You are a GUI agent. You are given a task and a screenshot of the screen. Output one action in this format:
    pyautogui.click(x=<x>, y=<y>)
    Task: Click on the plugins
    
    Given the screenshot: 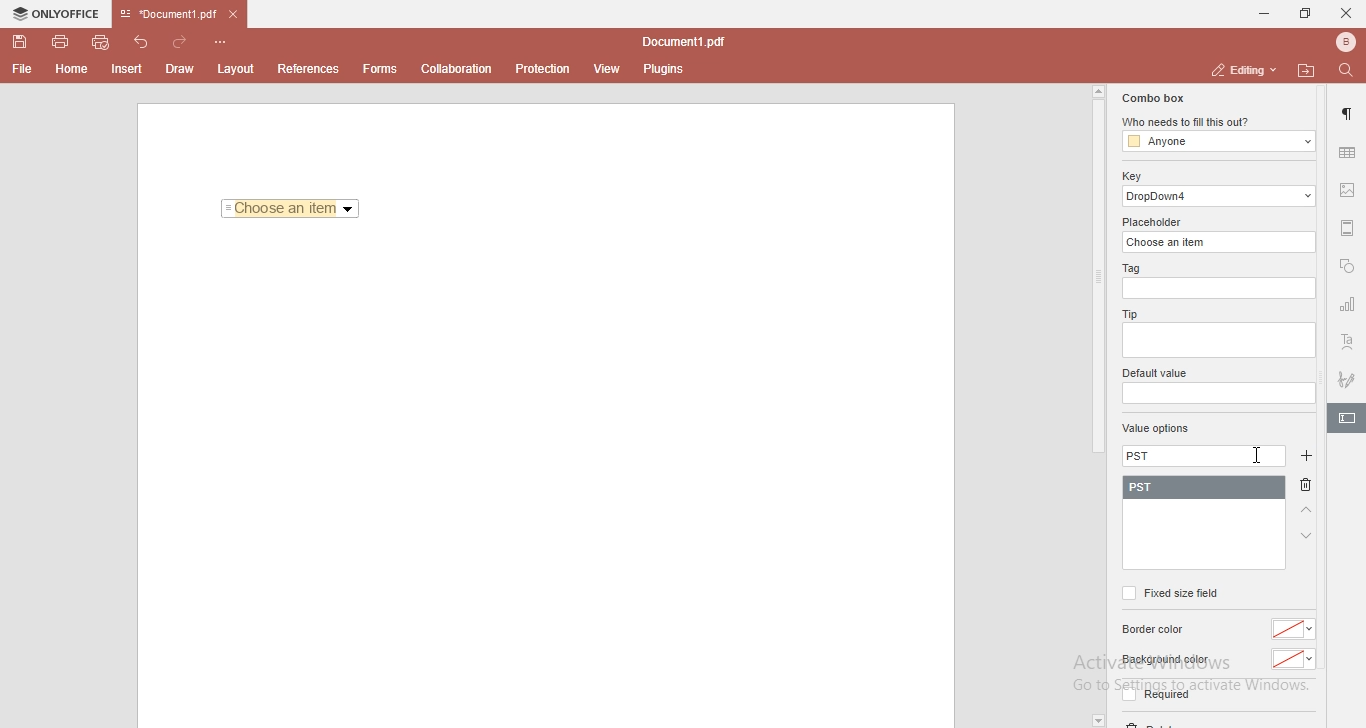 What is the action you would take?
    pyautogui.click(x=664, y=70)
    